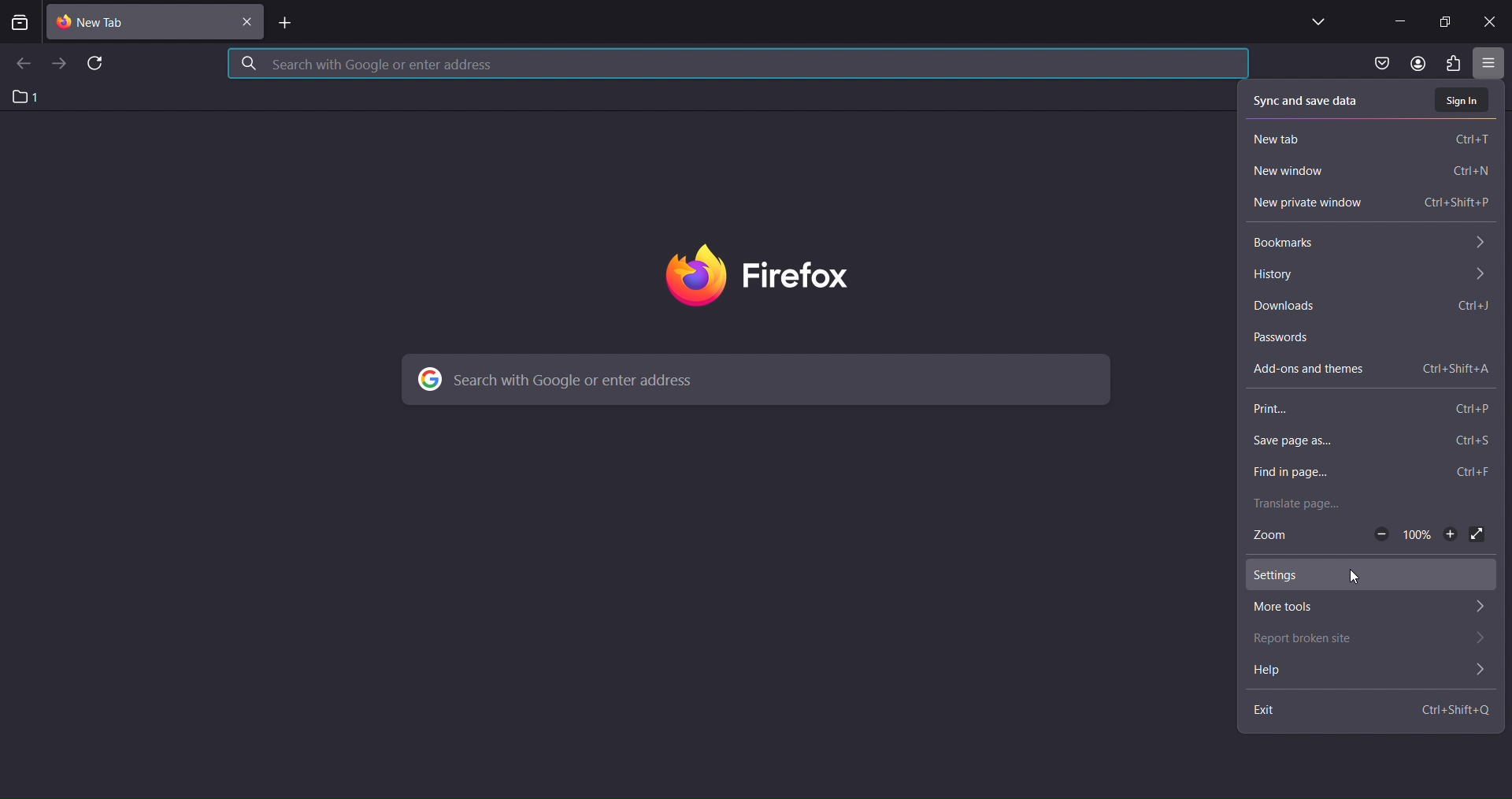 The width and height of the screenshot is (1512, 799). What do you see at coordinates (21, 65) in the screenshot?
I see `go back one page` at bounding box center [21, 65].